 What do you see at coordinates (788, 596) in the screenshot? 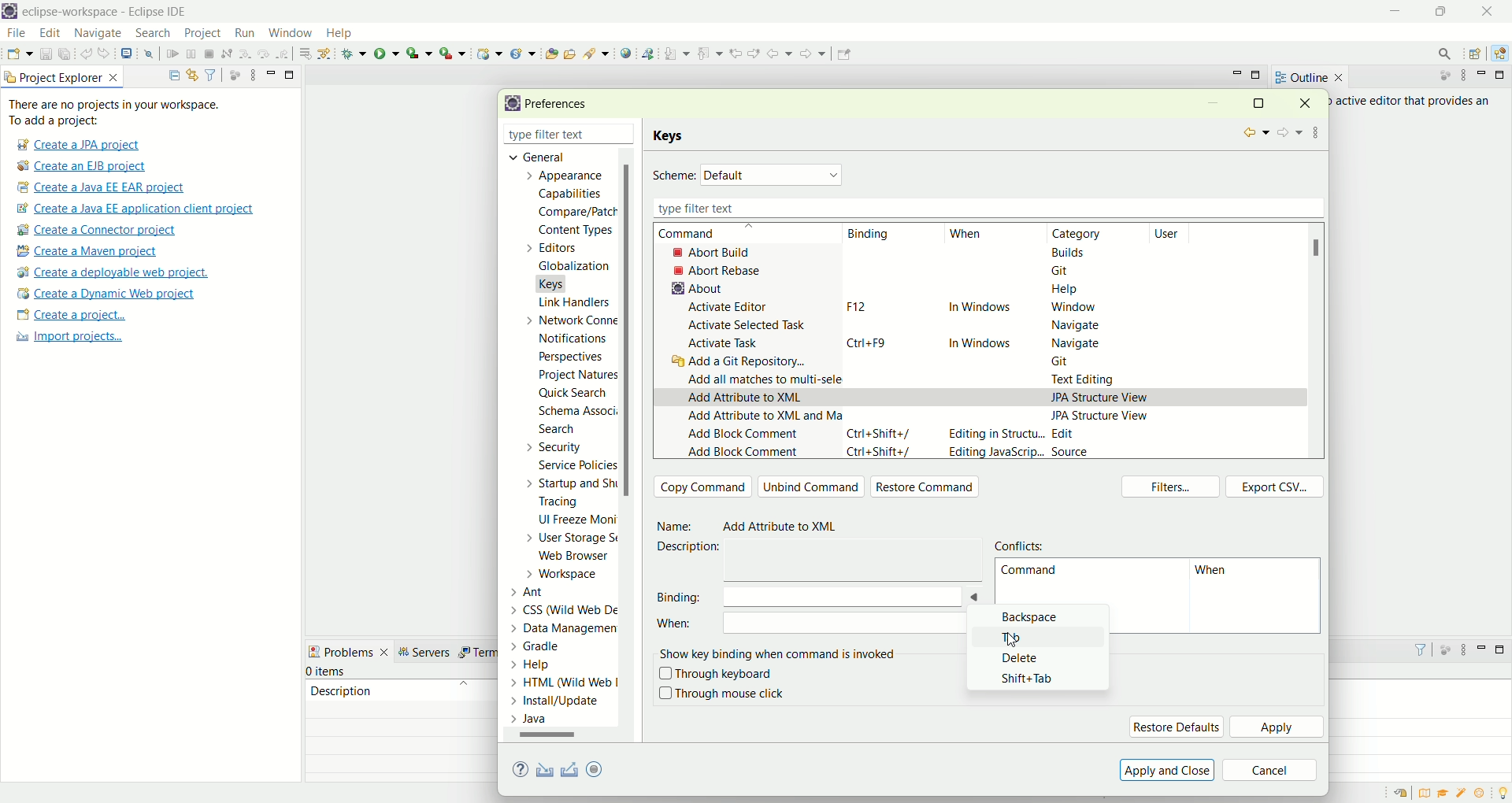
I see `binding` at bounding box center [788, 596].